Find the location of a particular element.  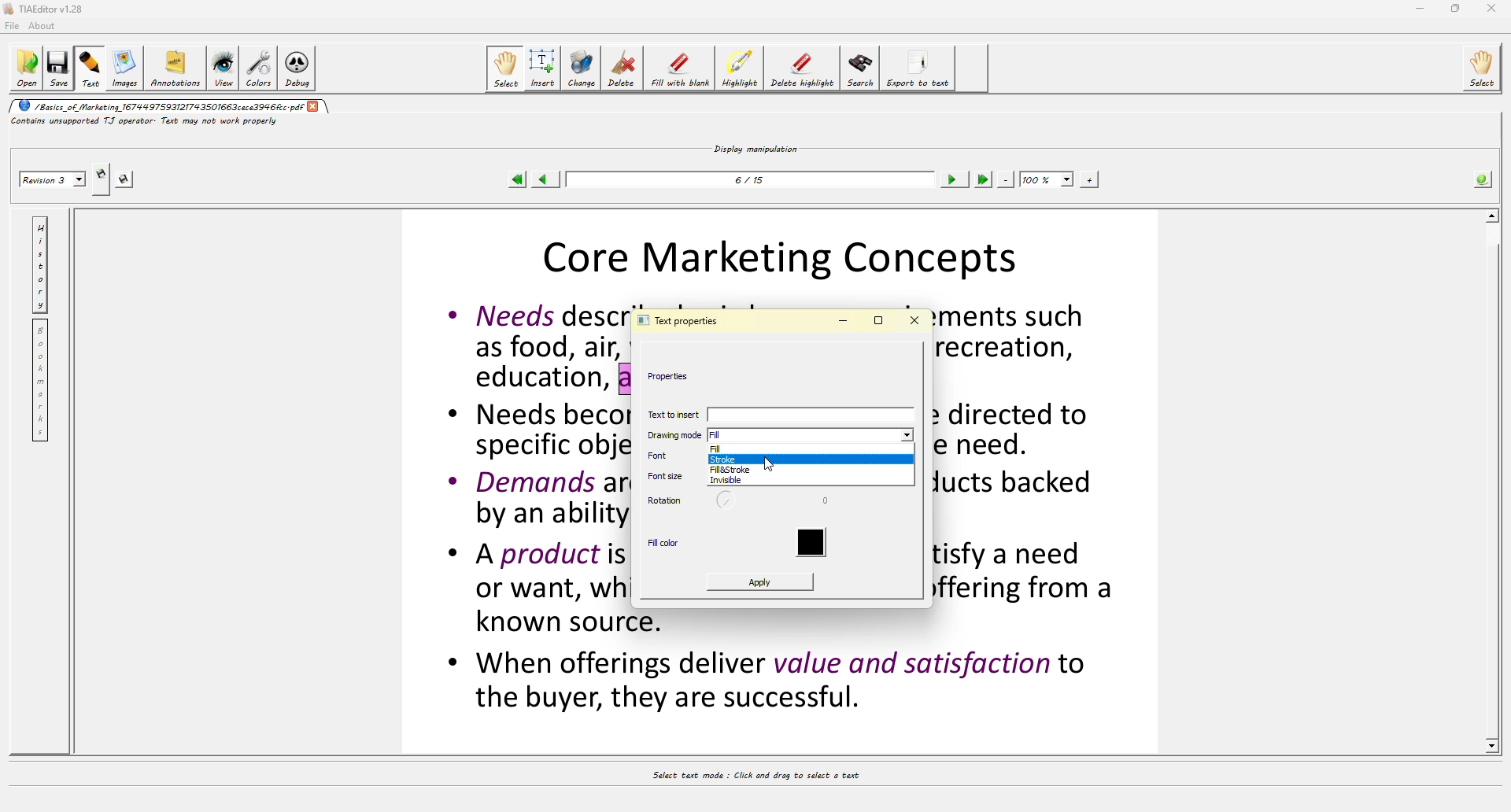

create new revision is located at coordinates (102, 172).